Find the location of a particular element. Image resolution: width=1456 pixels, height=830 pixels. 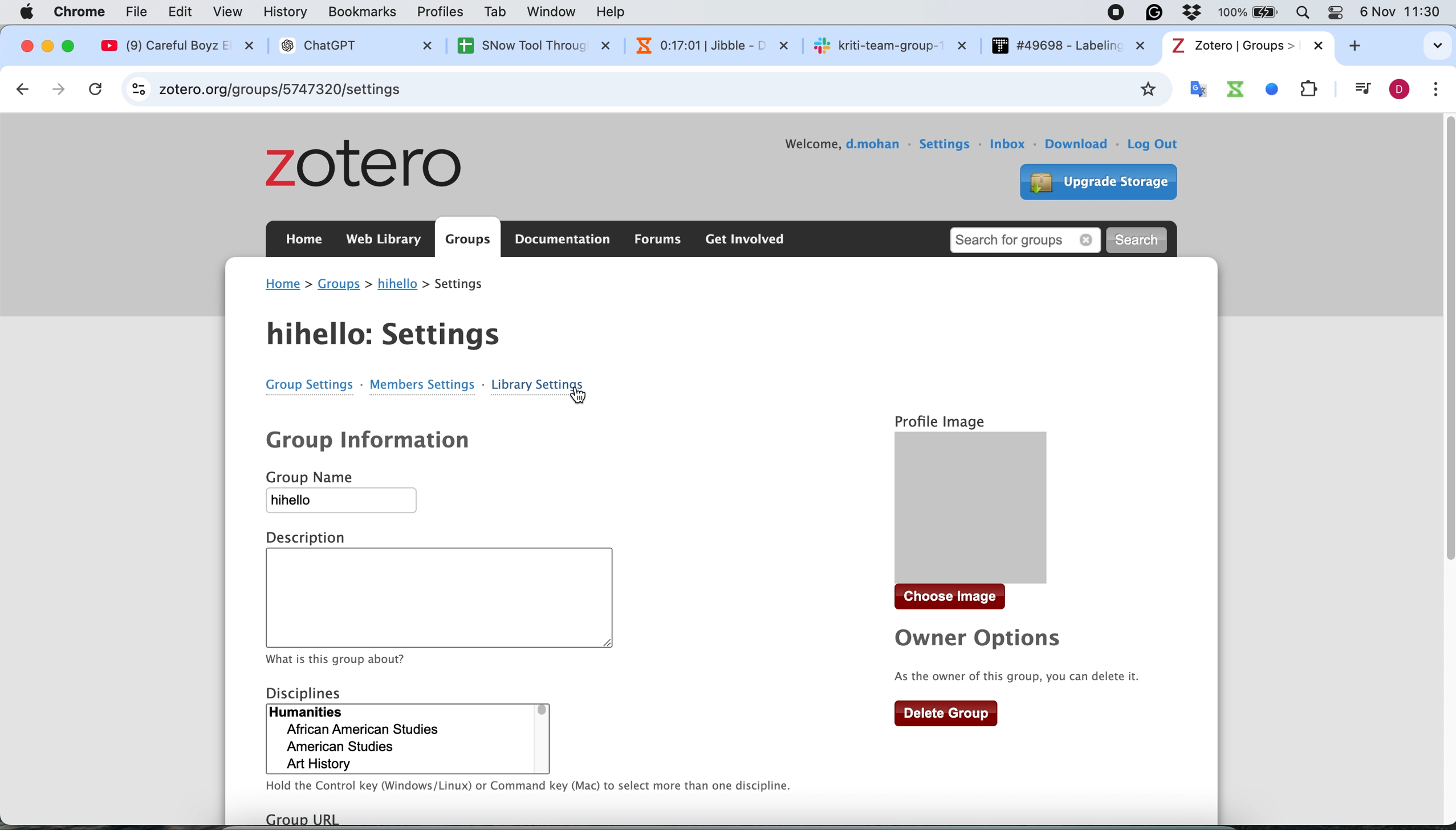

download is located at coordinates (1079, 144).